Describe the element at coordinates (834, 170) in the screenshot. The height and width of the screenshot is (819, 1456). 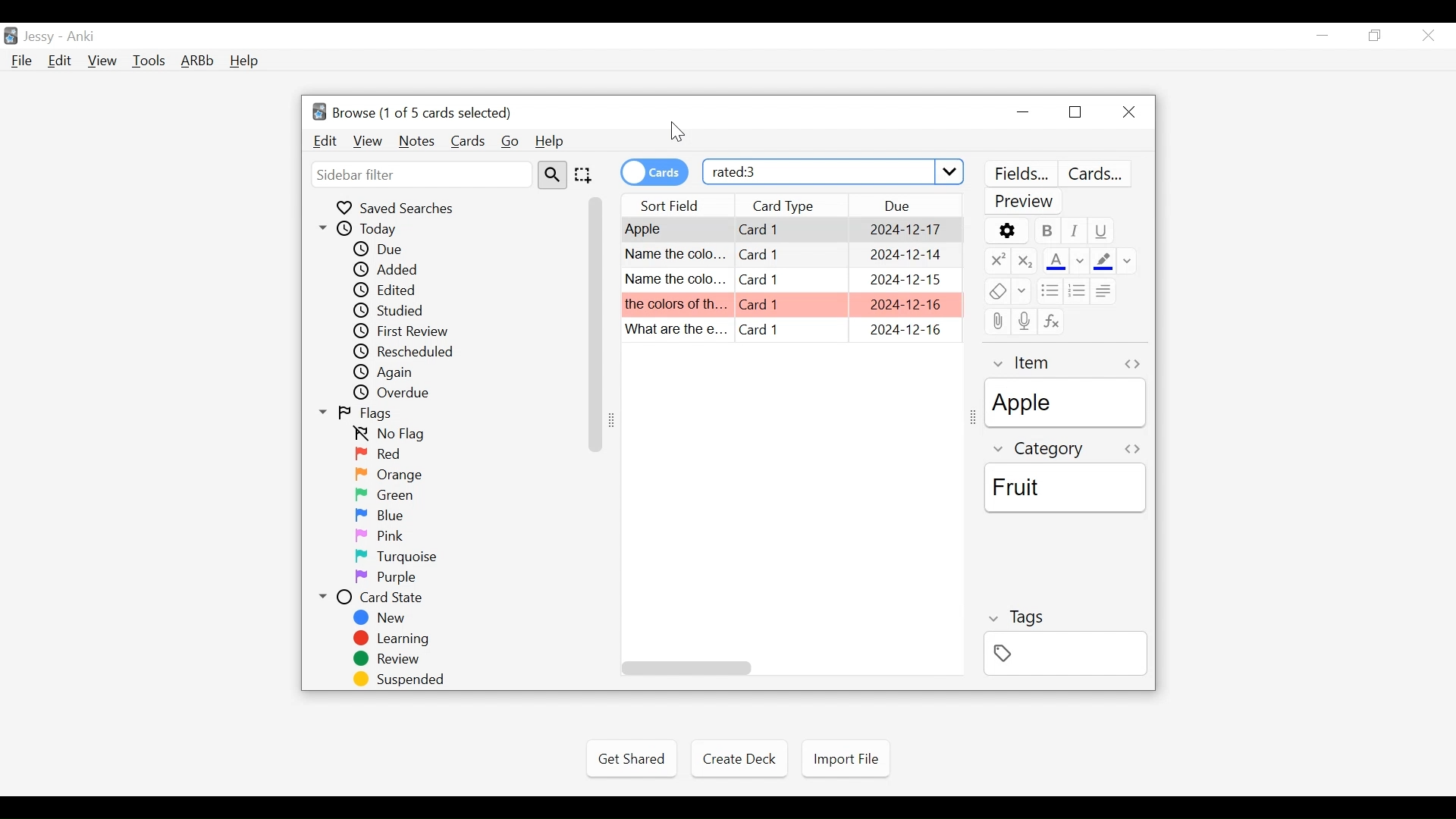
I see `rated:3` at that location.